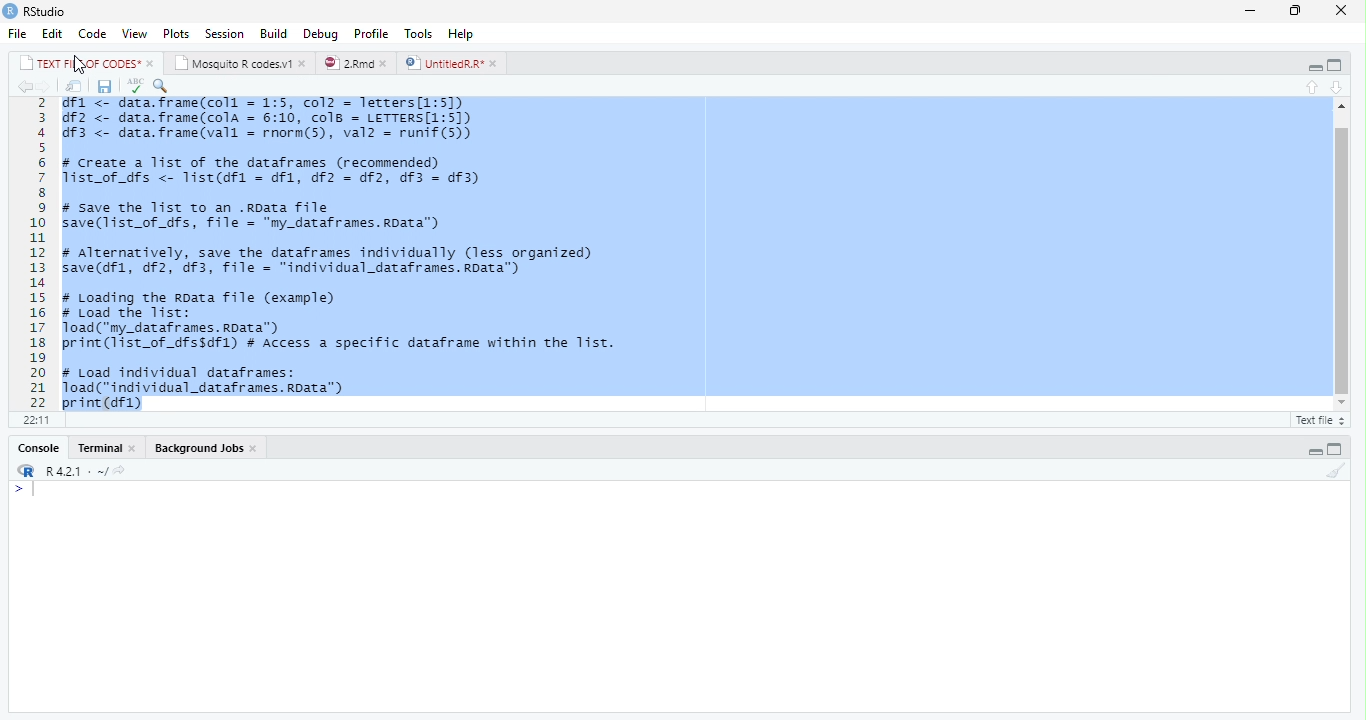  I want to click on find and replace, so click(163, 85).